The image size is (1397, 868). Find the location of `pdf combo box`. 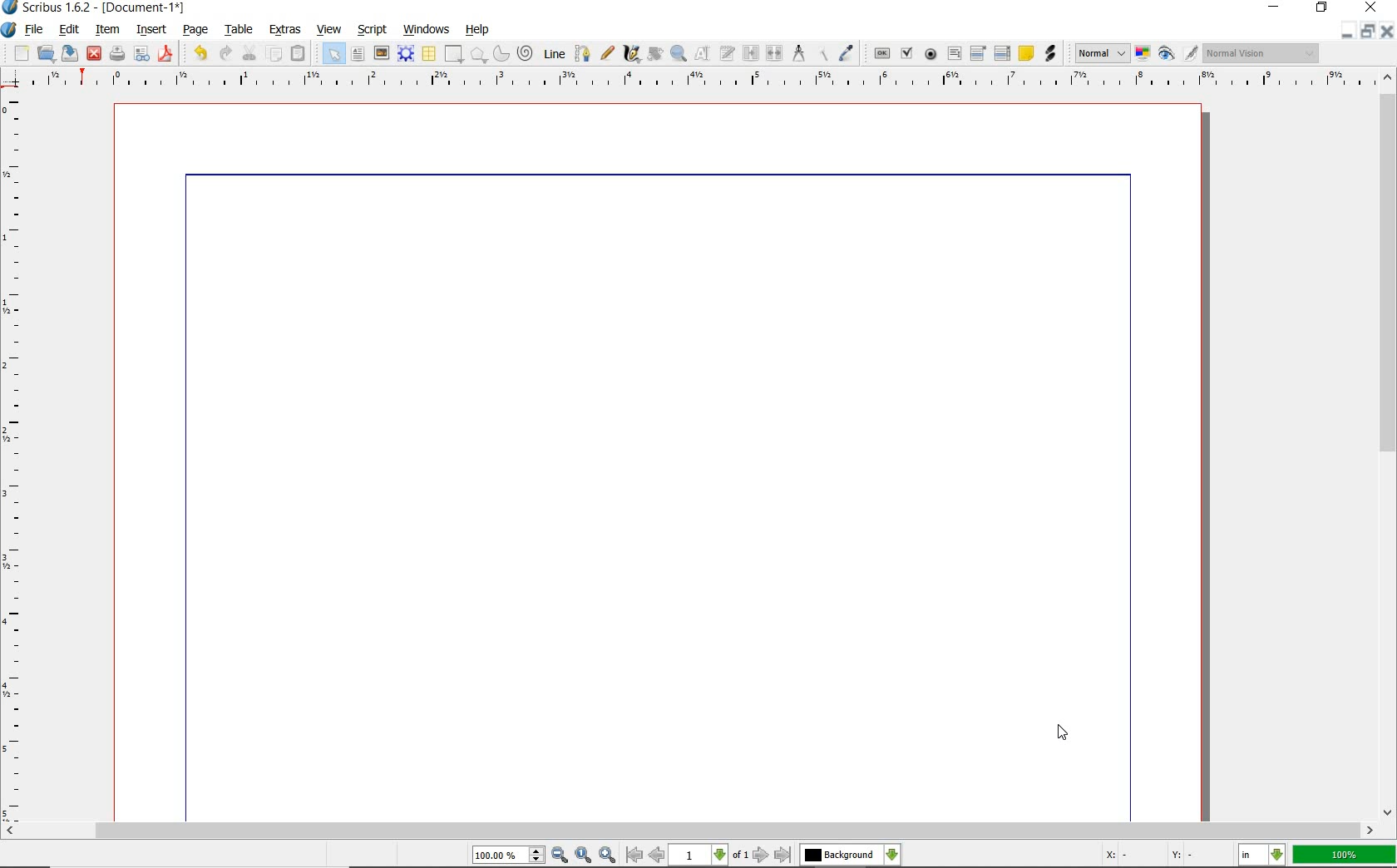

pdf combo box is located at coordinates (979, 54).